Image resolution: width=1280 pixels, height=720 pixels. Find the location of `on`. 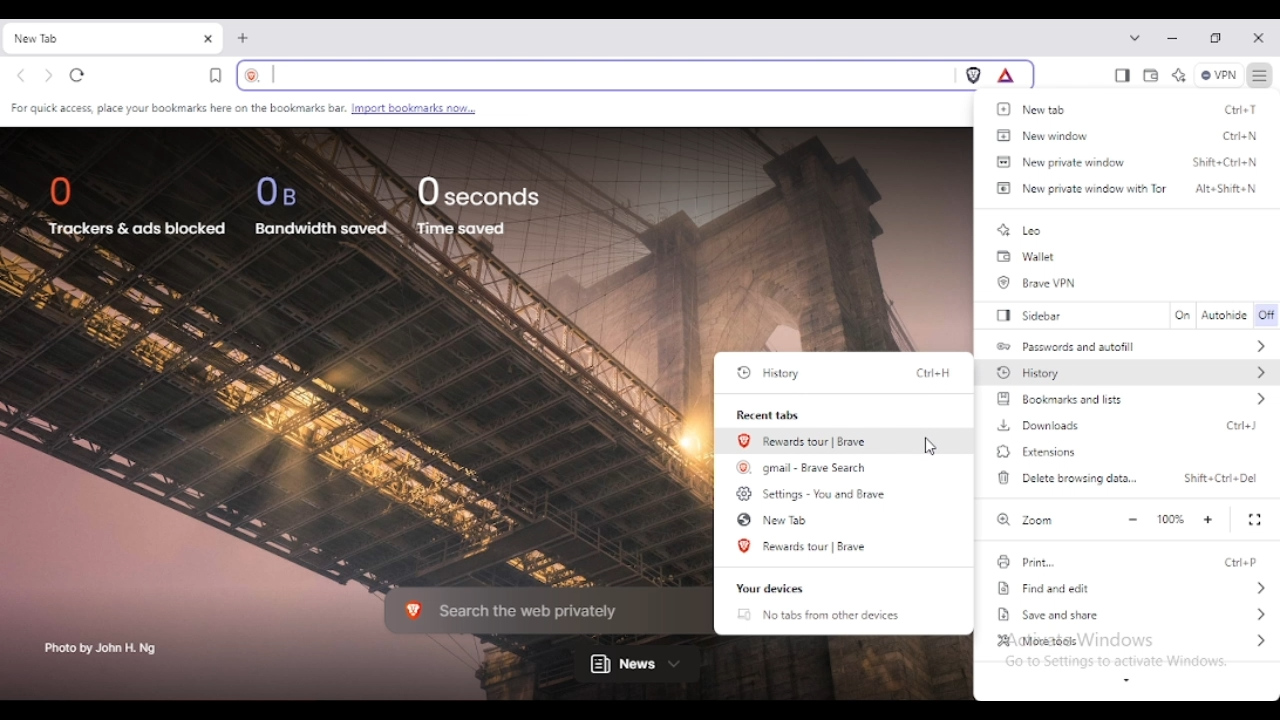

on is located at coordinates (1182, 315).